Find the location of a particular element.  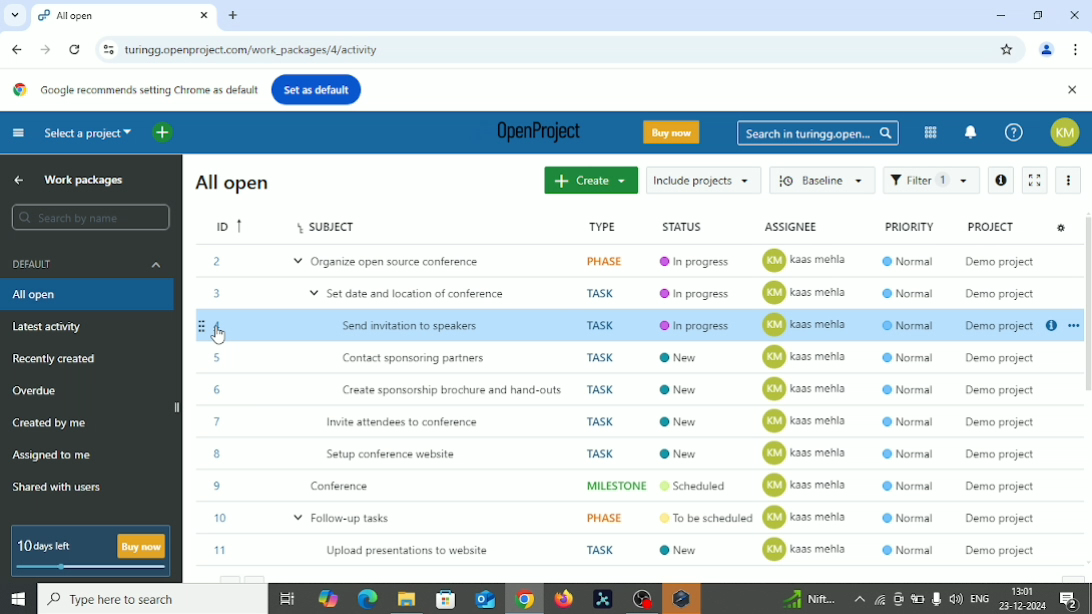

Work packages is located at coordinates (90, 180).